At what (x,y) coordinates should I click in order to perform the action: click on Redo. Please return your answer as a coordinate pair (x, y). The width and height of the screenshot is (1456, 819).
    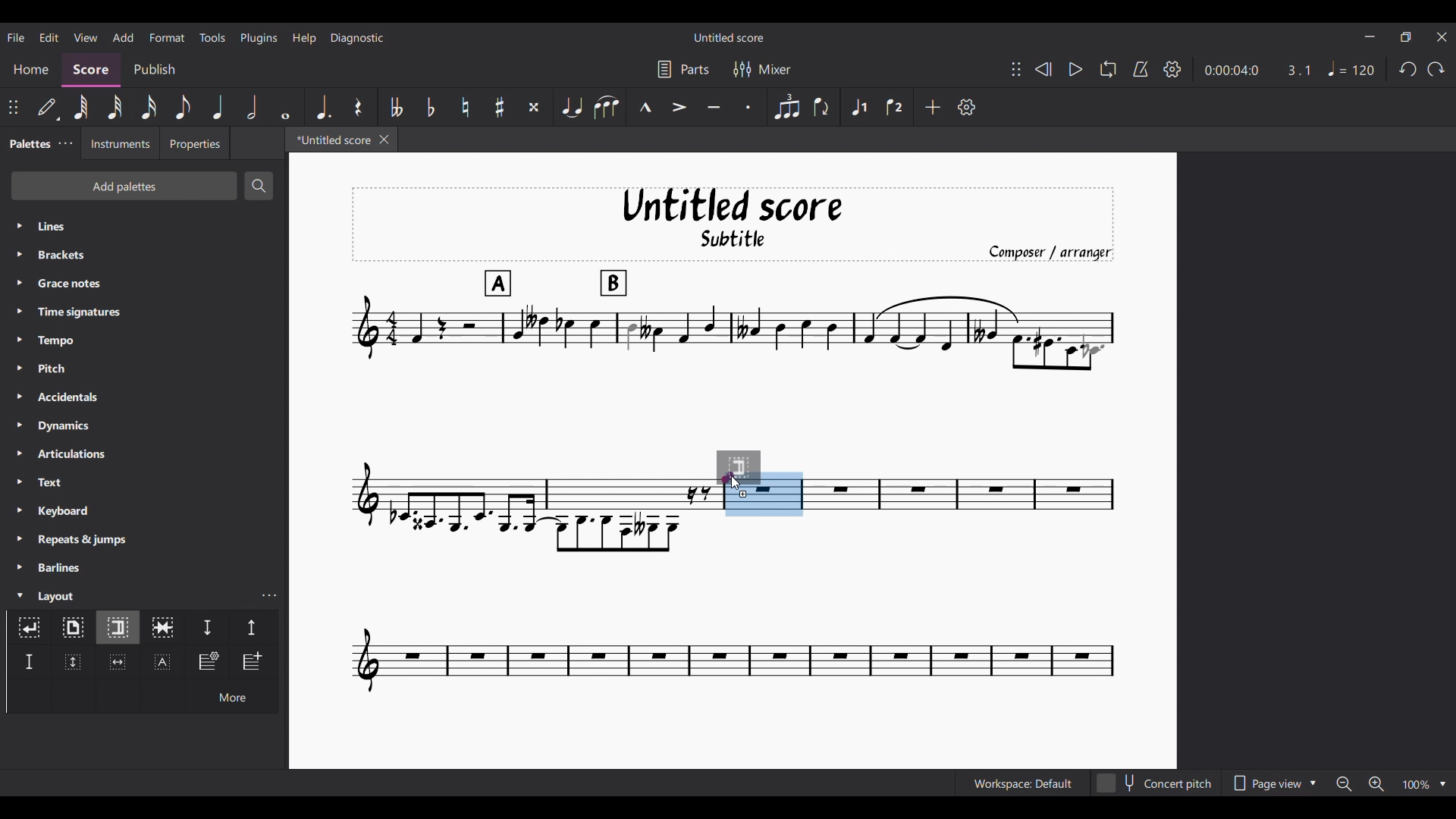
    Looking at the image, I should click on (1436, 69).